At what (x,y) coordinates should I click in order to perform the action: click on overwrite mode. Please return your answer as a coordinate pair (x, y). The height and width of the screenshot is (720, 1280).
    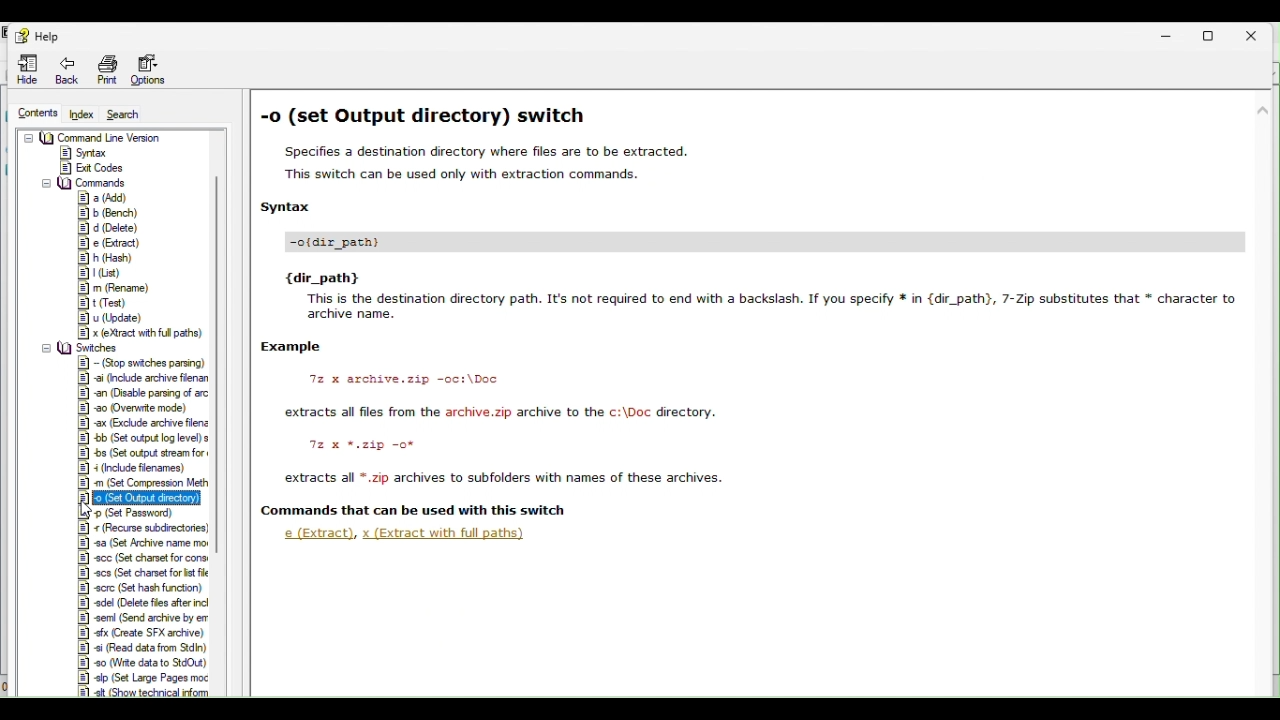
    Looking at the image, I should click on (135, 409).